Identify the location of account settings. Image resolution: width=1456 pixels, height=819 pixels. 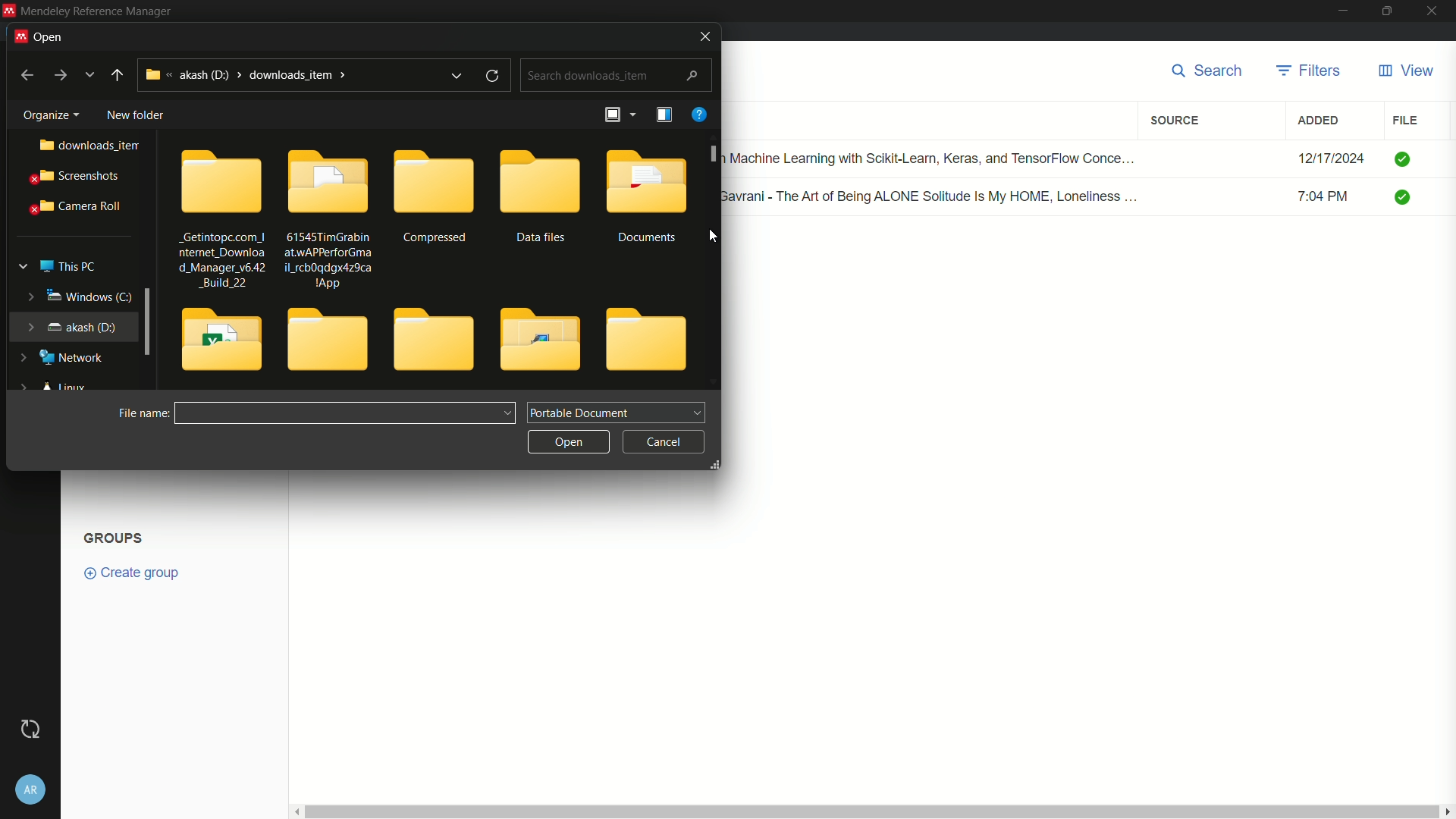
(31, 786).